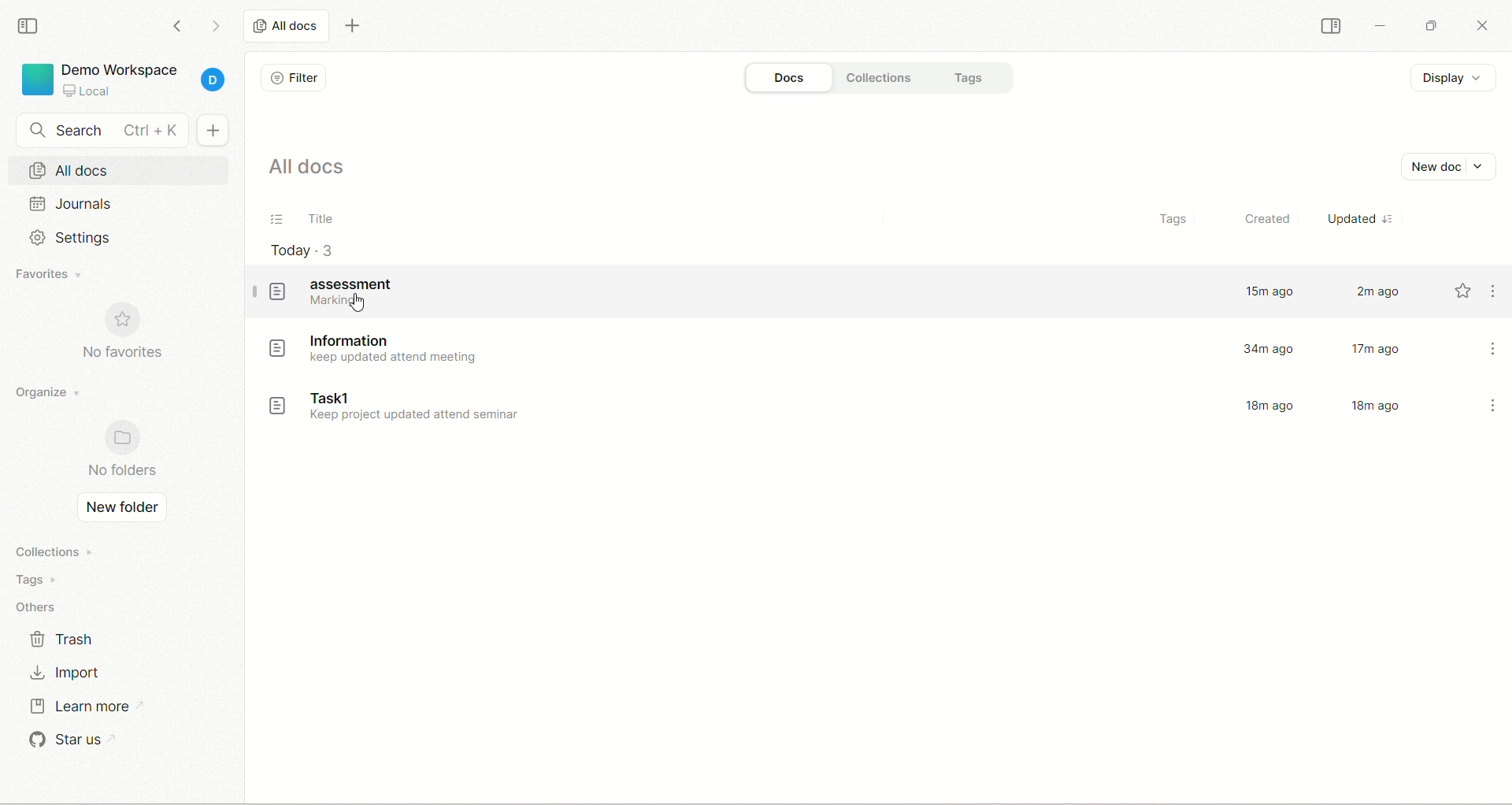 The image size is (1512, 805). I want to click on go forward, so click(217, 25).